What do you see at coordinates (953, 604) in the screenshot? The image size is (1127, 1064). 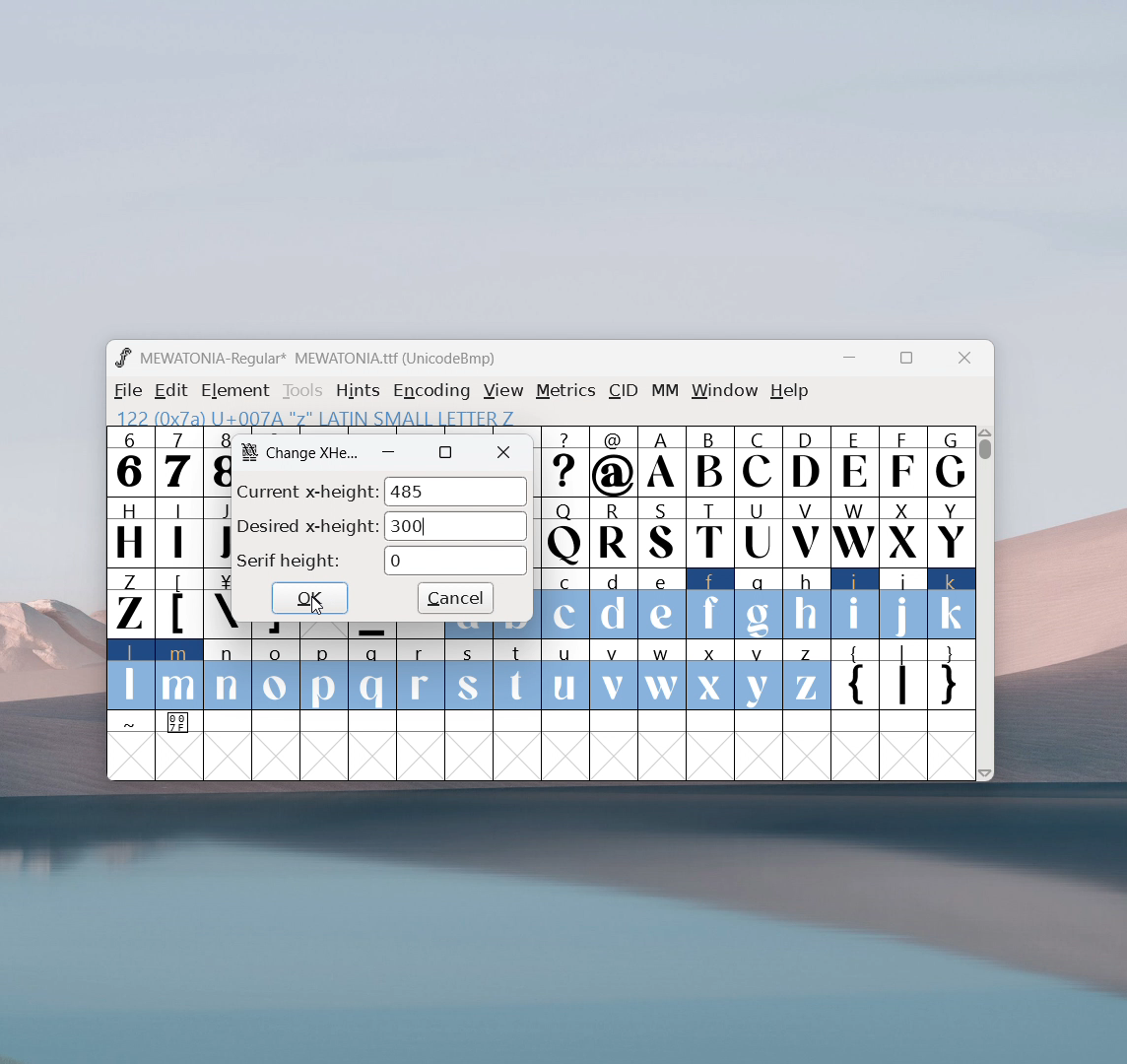 I see `k` at bounding box center [953, 604].